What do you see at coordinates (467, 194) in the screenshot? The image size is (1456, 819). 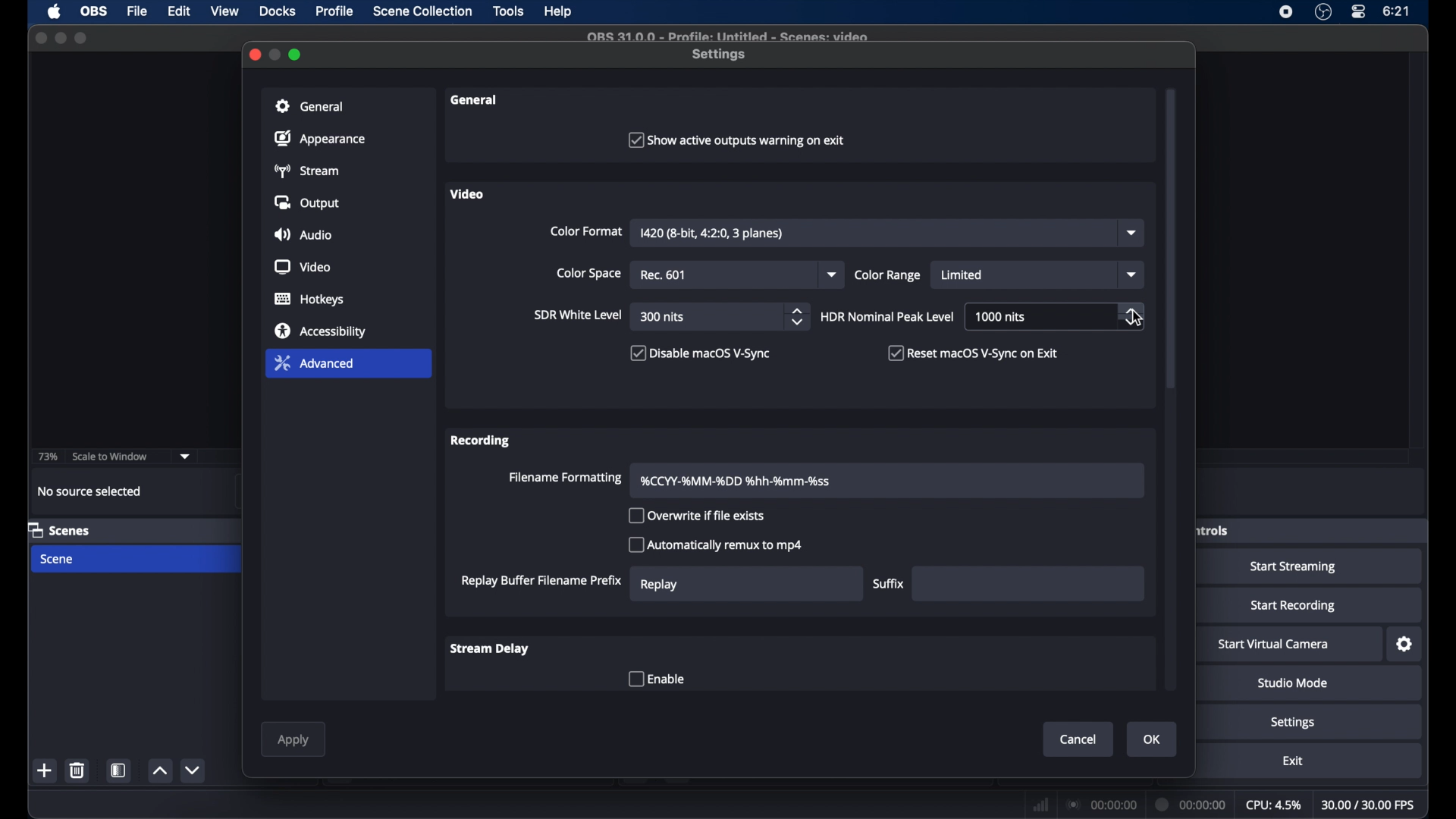 I see `video` at bounding box center [467, 194].